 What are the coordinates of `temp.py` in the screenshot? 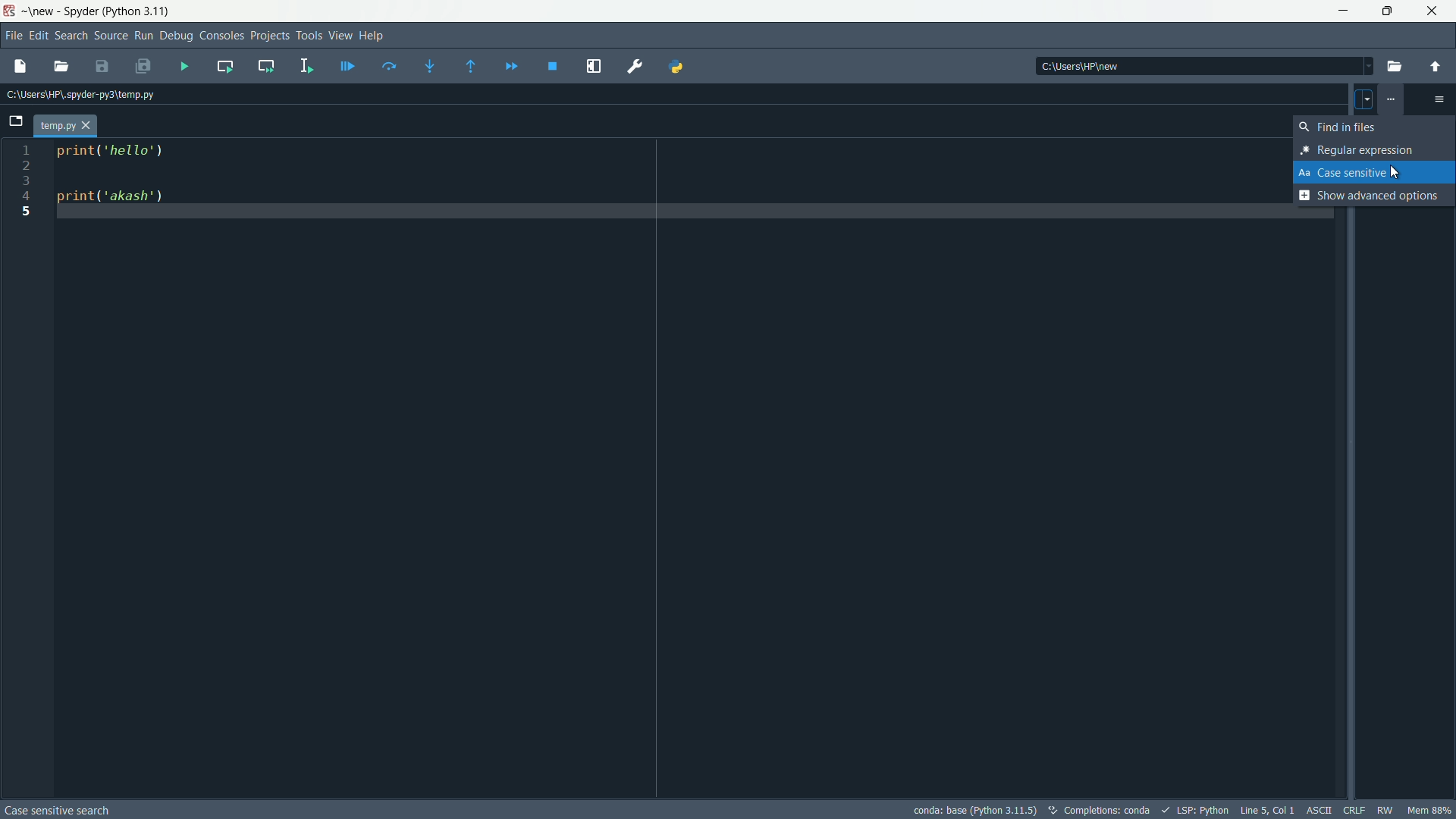 It's located at (67, 126).